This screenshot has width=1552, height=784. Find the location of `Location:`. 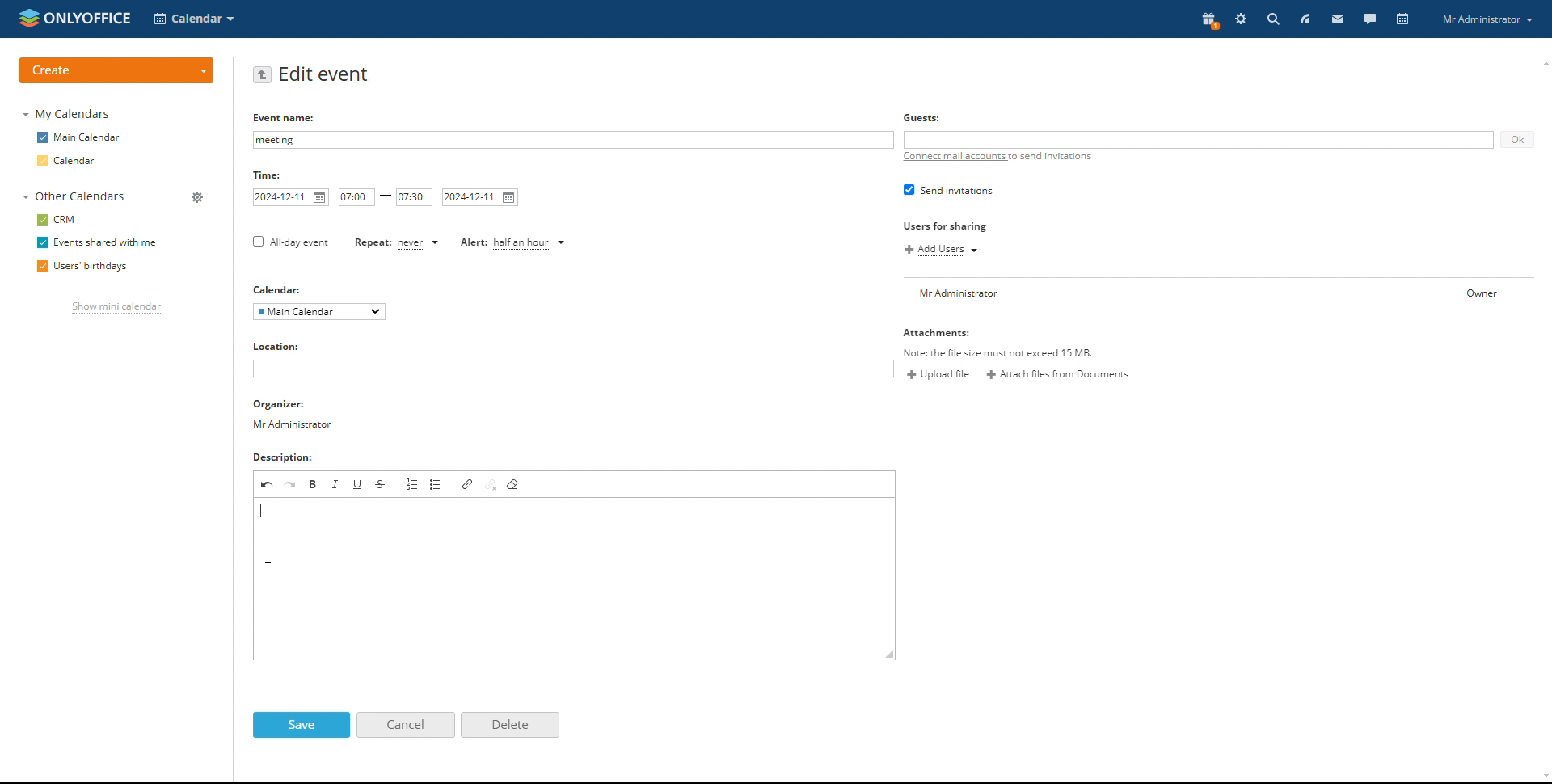

Location: is located at coordinates (278, 348).